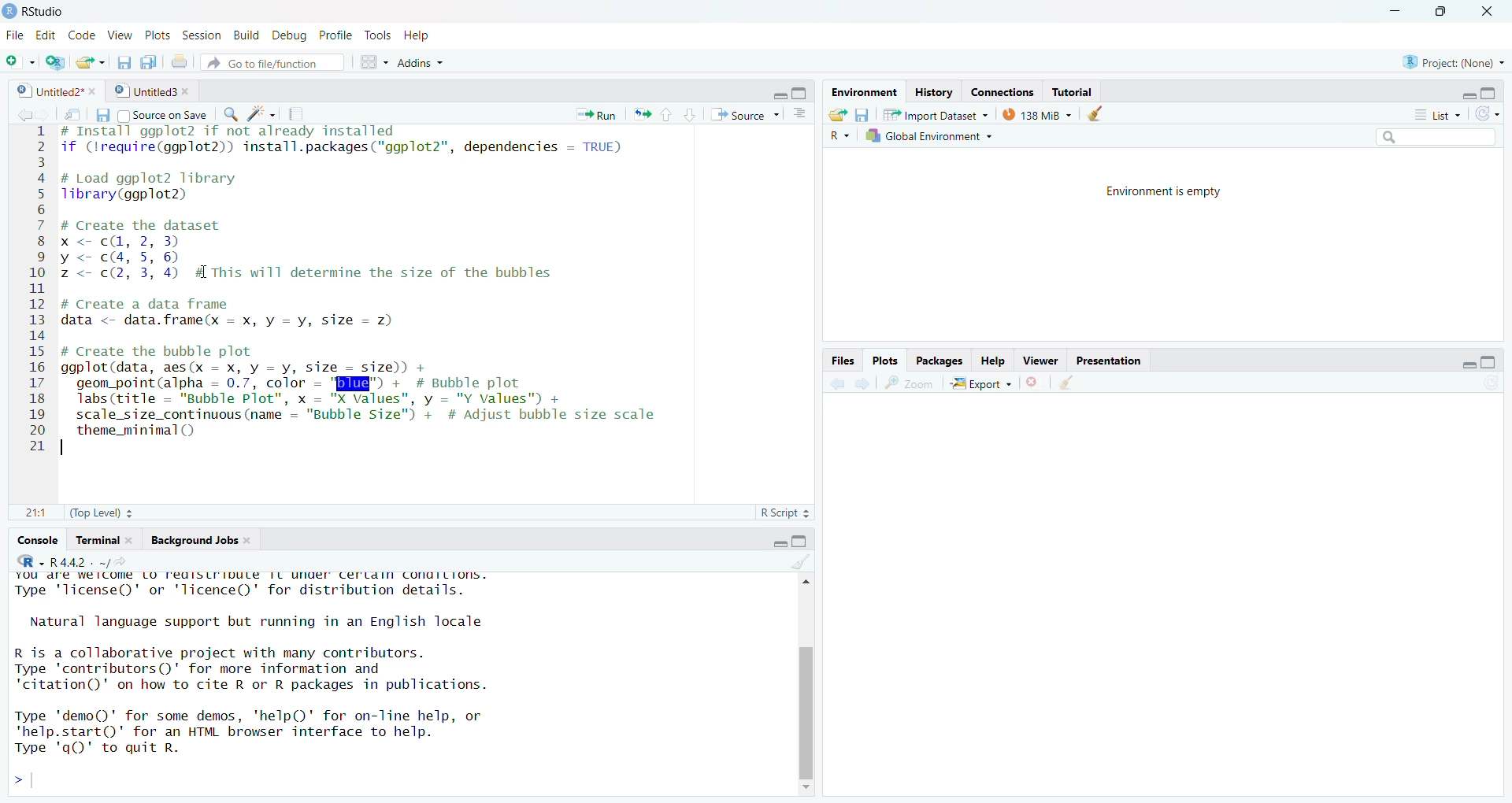 The height and width of the screenshot is (803, 1512). What do you see at coordinates (27, 513) in the screenshot?
I see `1:1` at bounding box center [27, 513].